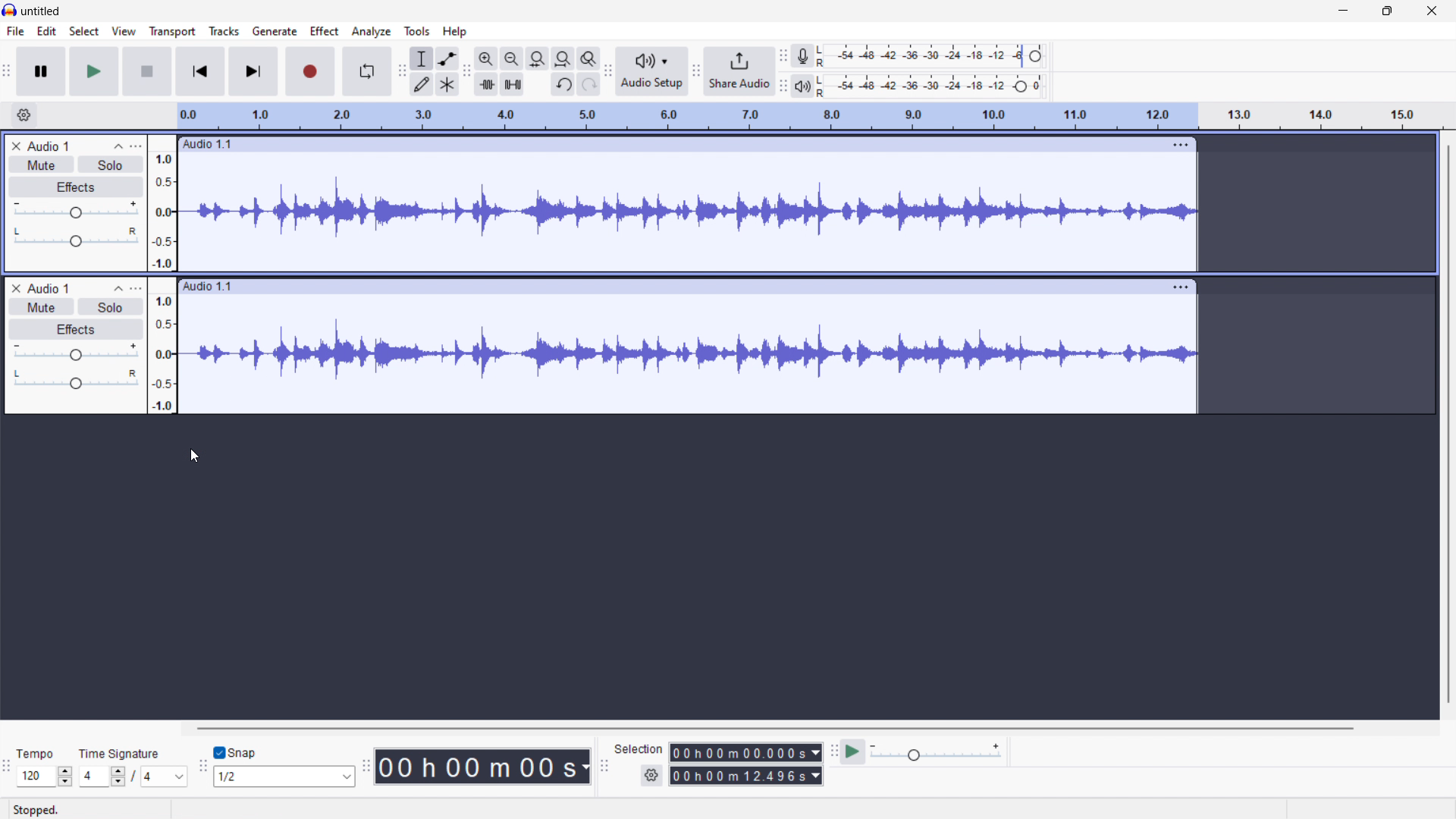 This screenshot has height=819, width=1456. Describe the element at coordinates (42, 165) in the screenshot. I see `mute` at that location.